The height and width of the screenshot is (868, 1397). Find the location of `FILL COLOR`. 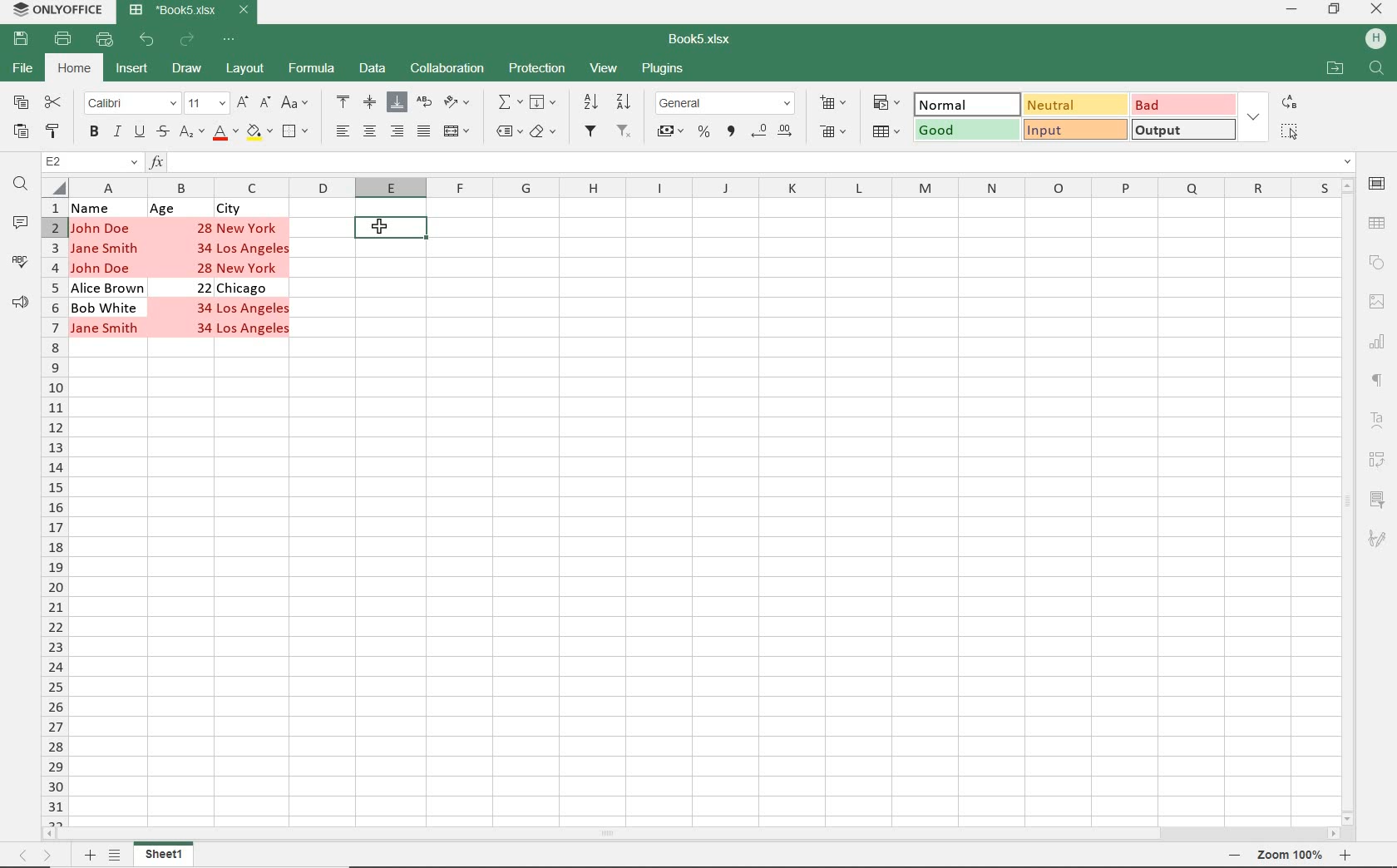

FILL COLOR is located at coordinates (259, 134).